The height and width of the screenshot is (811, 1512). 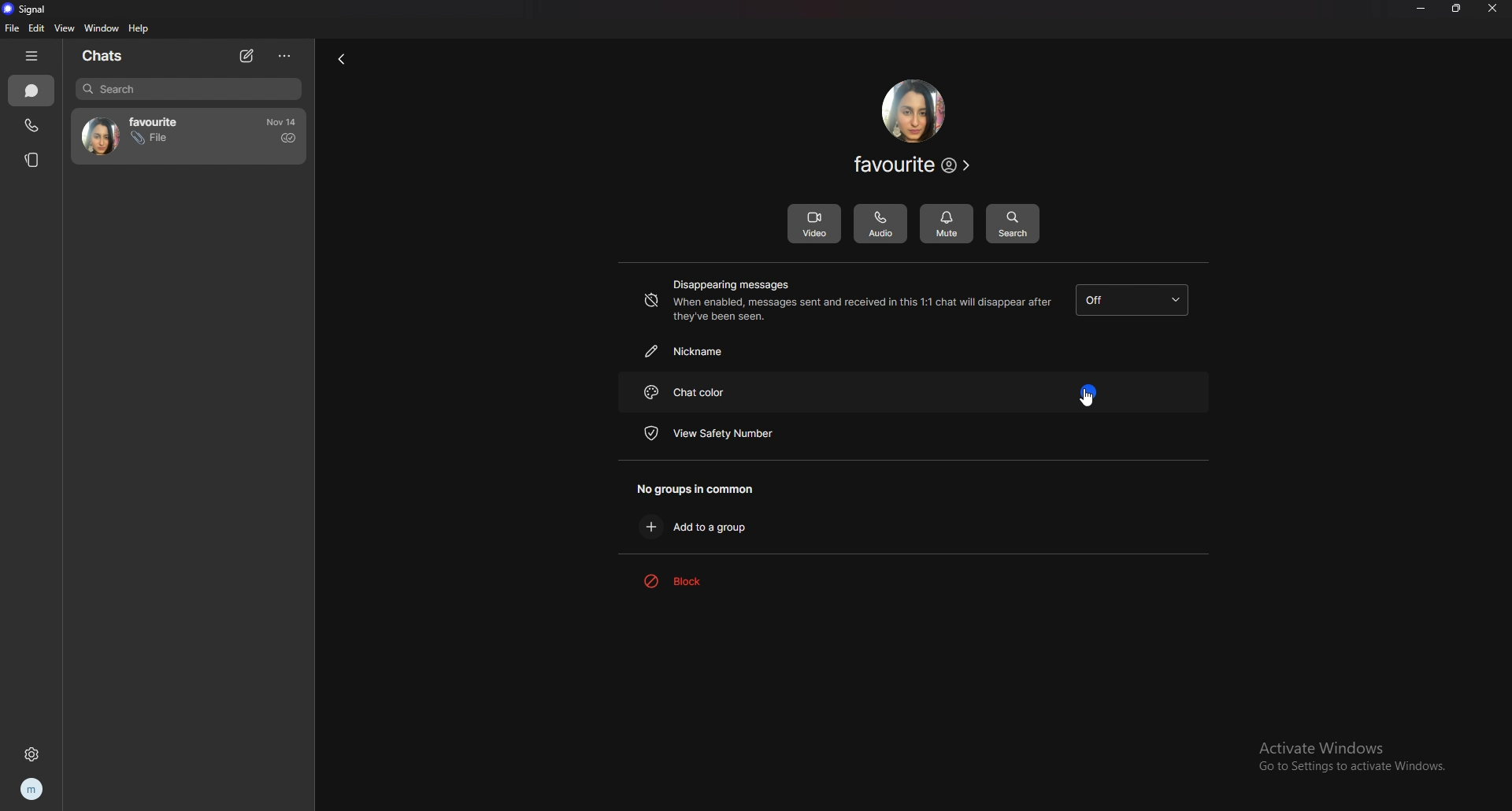 I want to click on nickname, so click(x=705, y=352).